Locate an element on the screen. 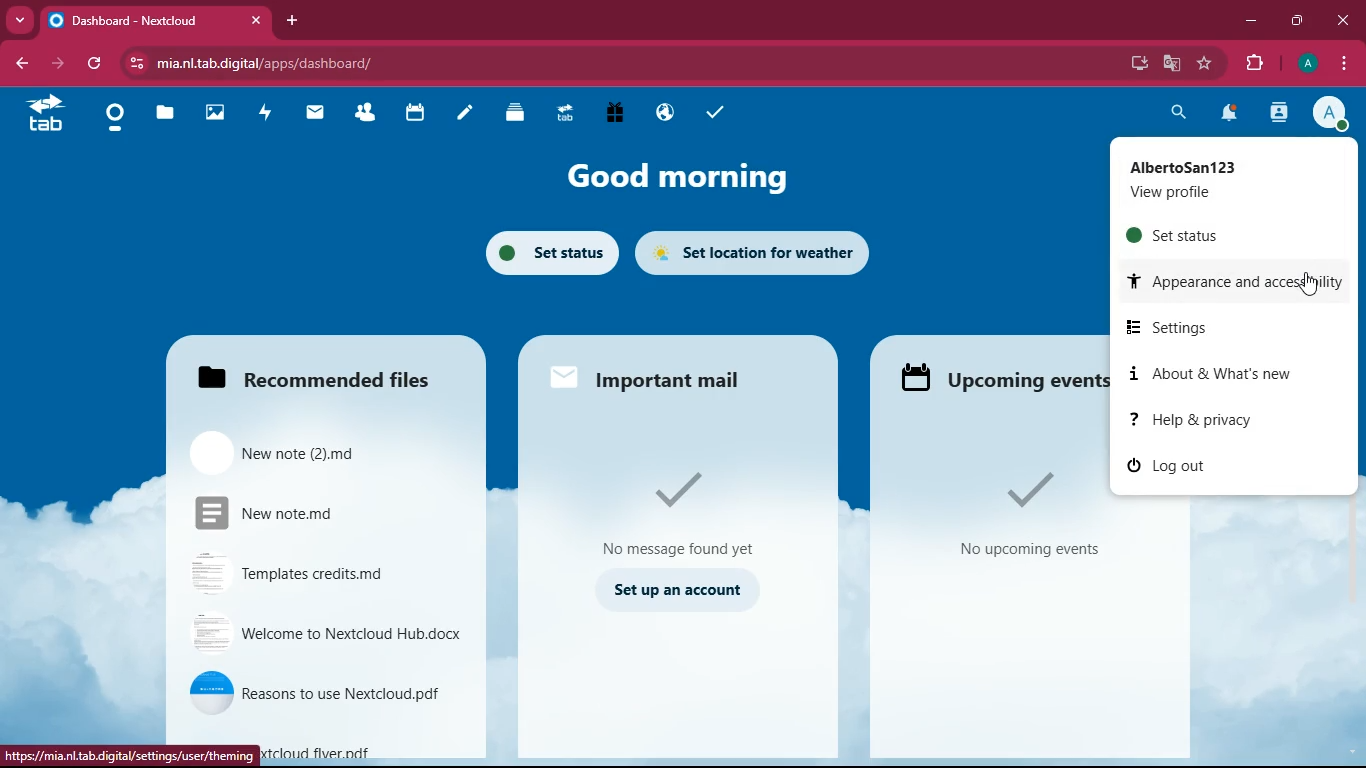 The width and height of the screenshot is (1366, 768). mail is located at coordinates (651, 376).